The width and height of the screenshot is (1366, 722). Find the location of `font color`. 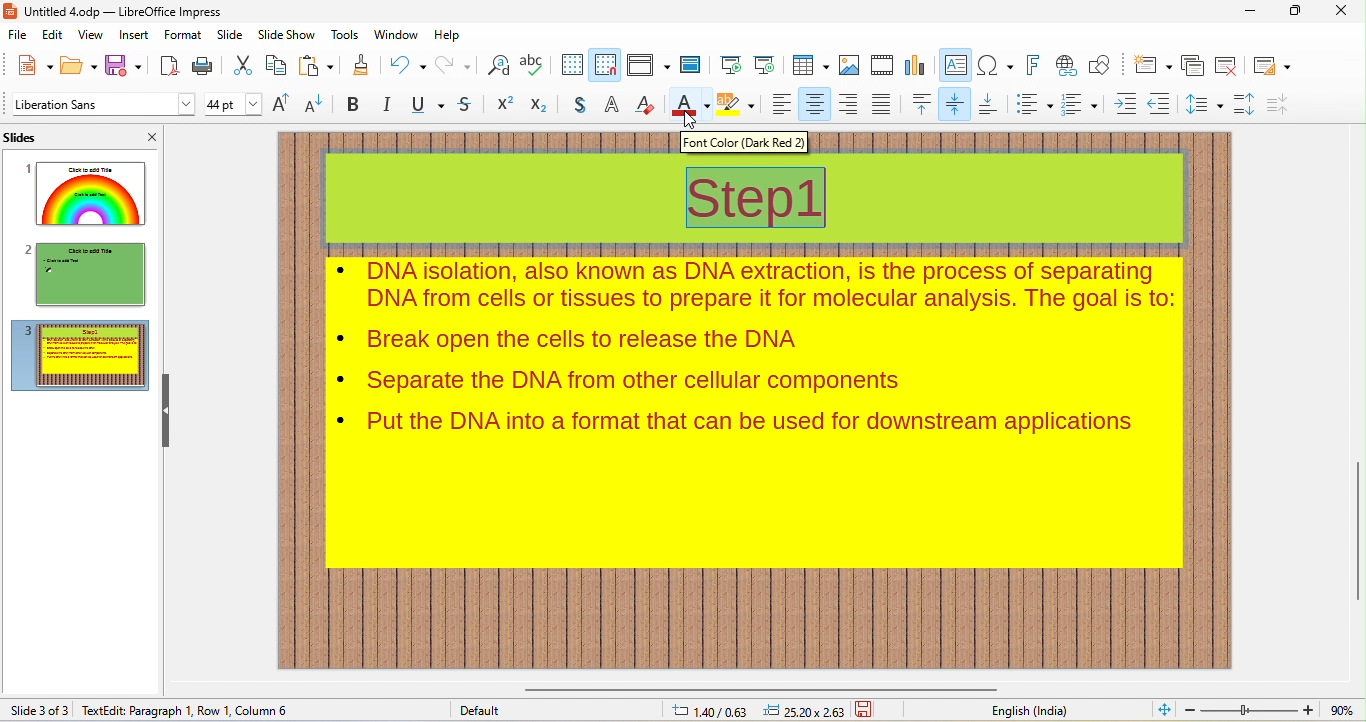

font color is located at coordinates (691, 106).